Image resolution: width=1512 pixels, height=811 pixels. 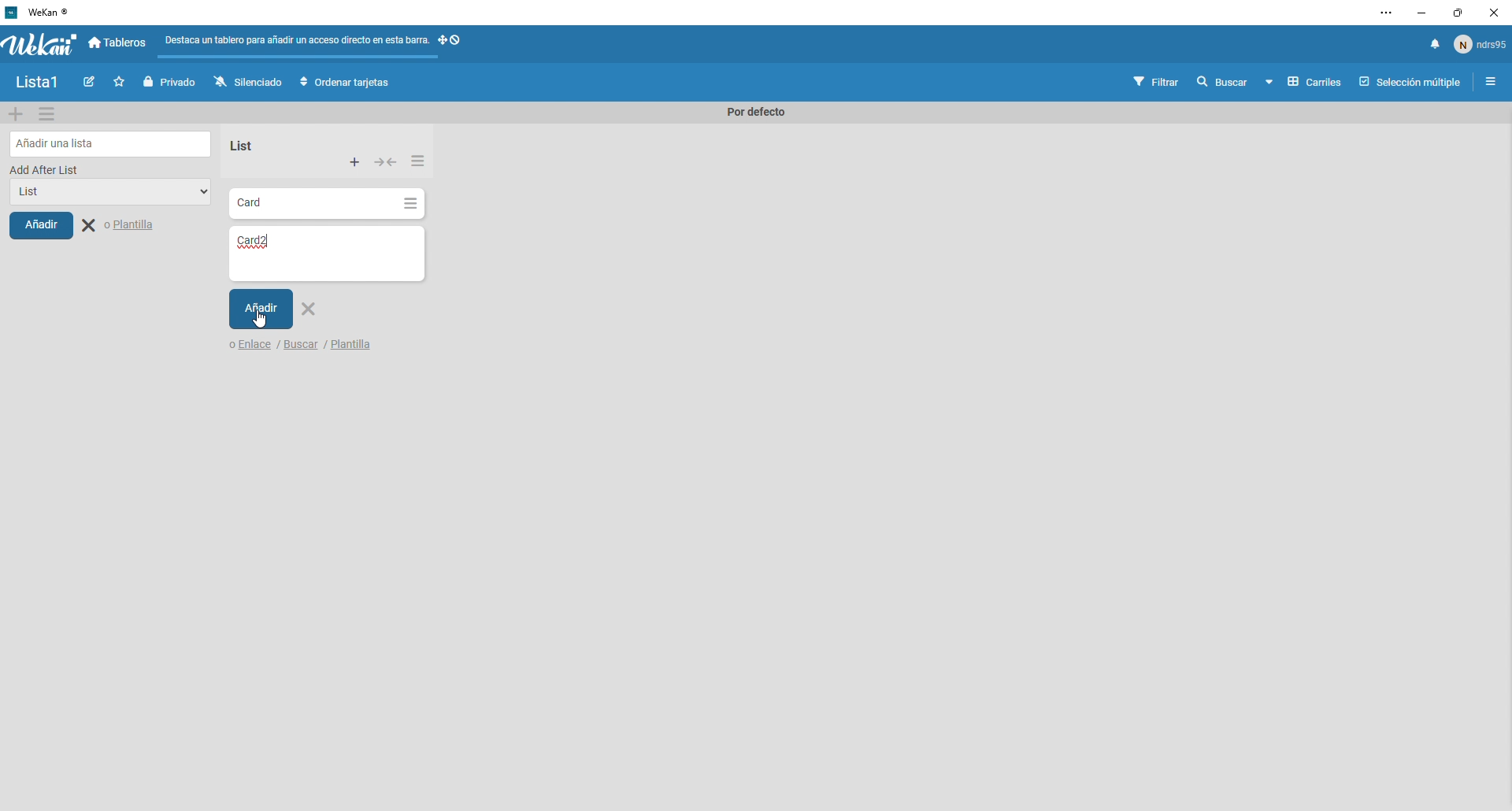 What do you see at coordinates (1453, 14) in the screenshot?
I see `maximise` at bounding box center [1453, 14].